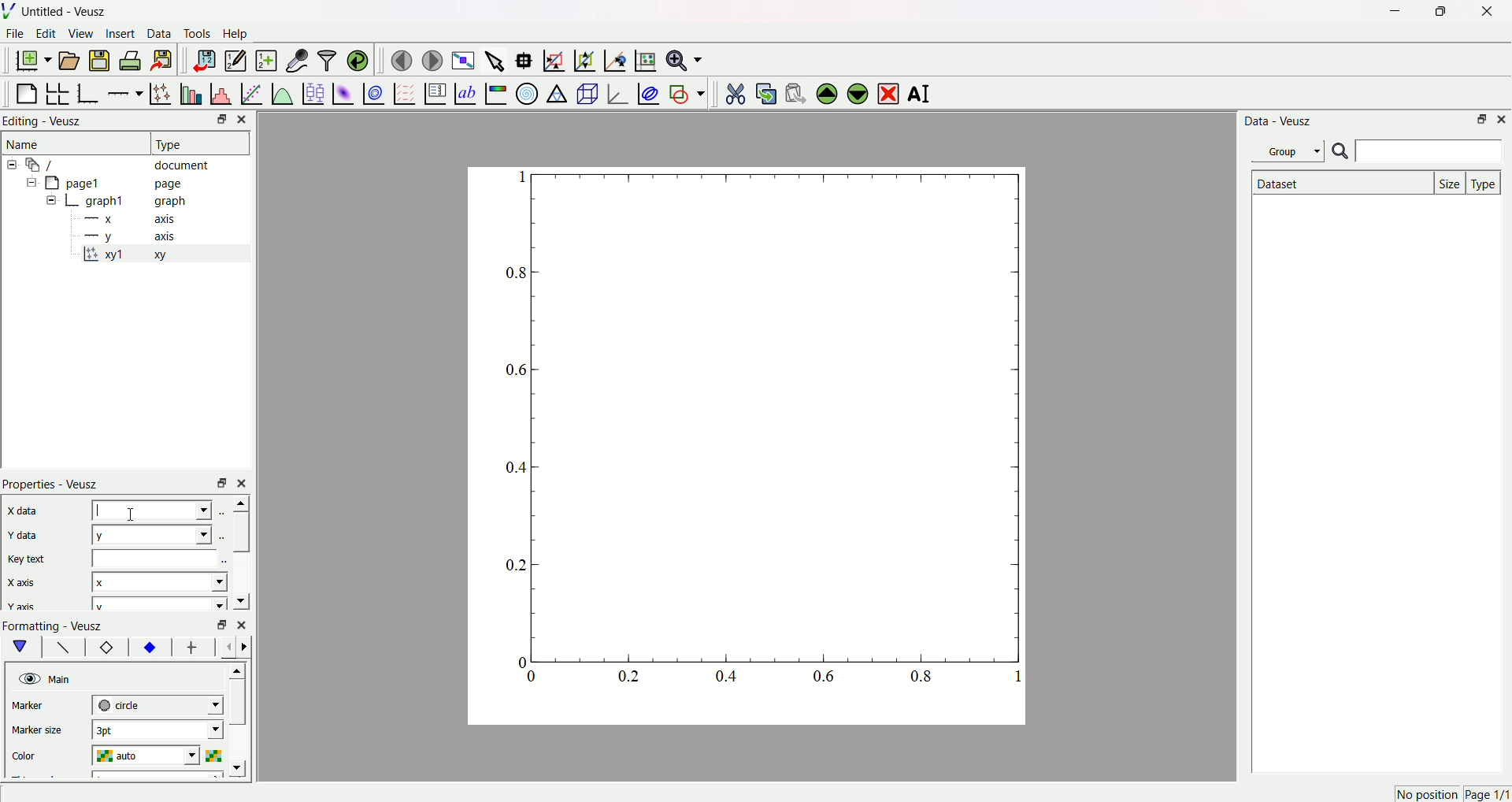 This screenshot has width=1512, height=802. What do you see at coordinates (265, 61) in the screenshot?
I see `create new datasets` at bounding box center [265, 61].